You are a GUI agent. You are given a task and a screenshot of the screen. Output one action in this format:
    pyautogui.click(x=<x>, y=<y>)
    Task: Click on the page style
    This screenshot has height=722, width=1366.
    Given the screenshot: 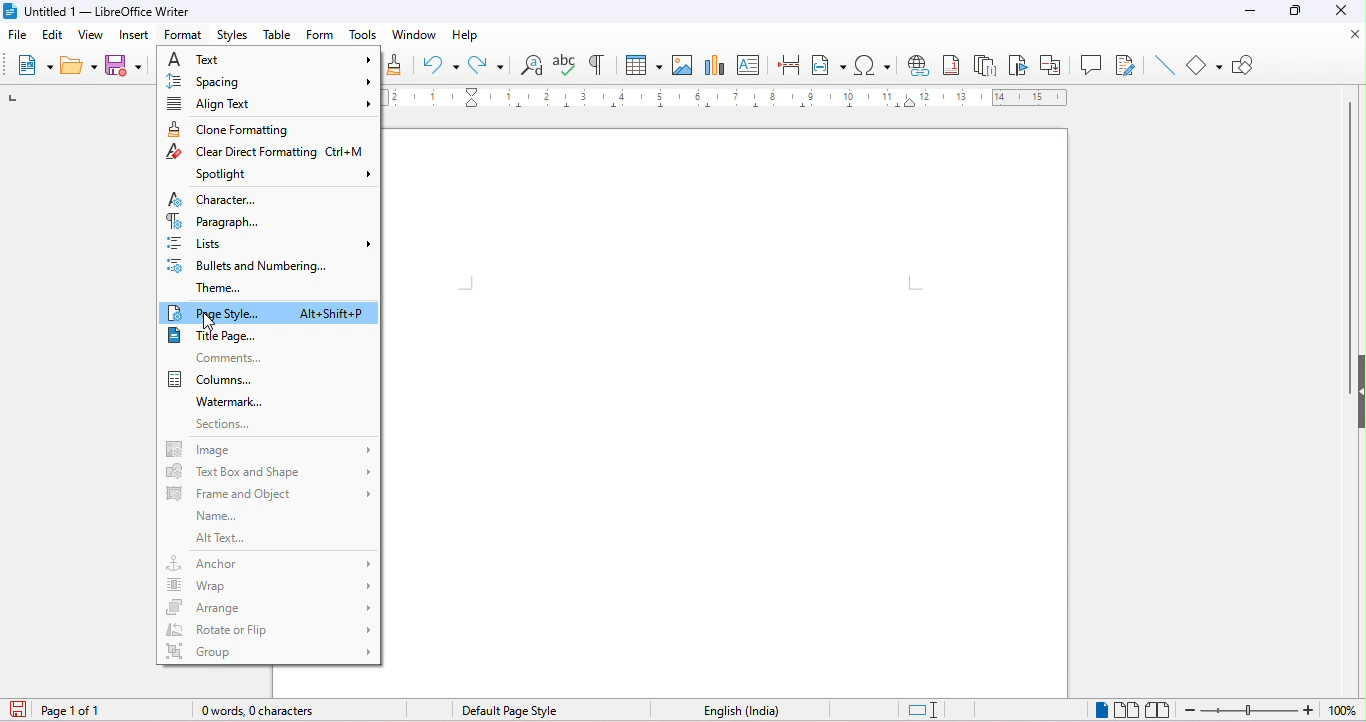 What is the action you would take?
    pyautogui.click(x=270, y=313)
    